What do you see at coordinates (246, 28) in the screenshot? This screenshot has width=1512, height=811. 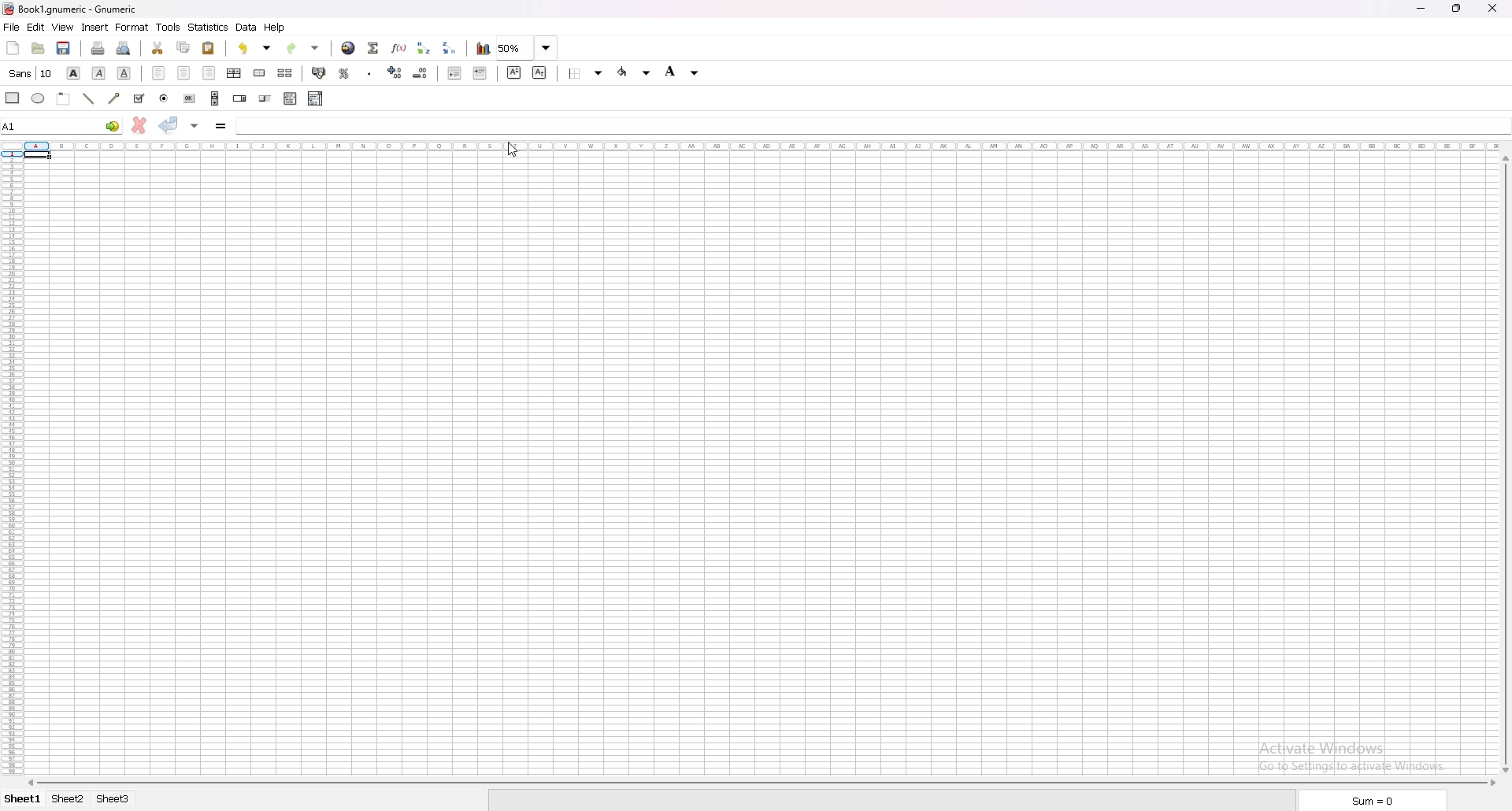 I see `data` at bounding box center [246, 28].